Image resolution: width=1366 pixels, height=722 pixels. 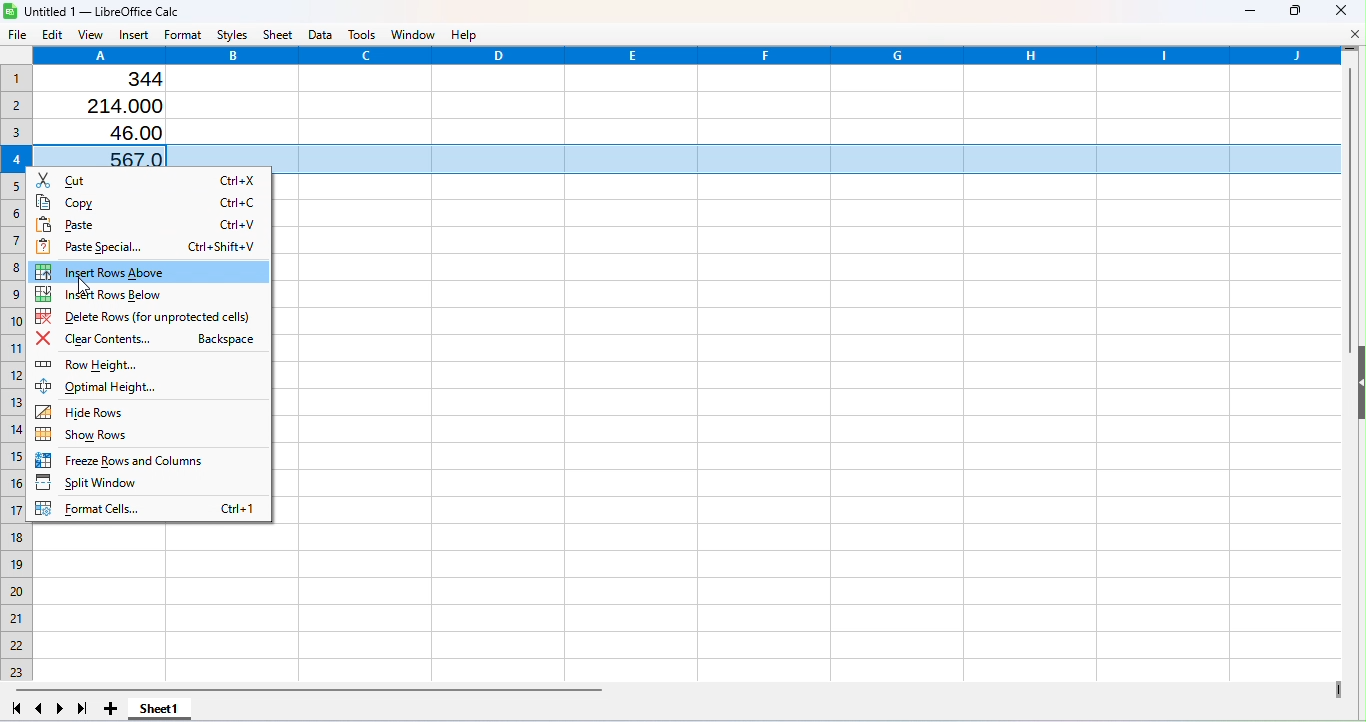 I want to click on Row height, so click(x=126, y=365).